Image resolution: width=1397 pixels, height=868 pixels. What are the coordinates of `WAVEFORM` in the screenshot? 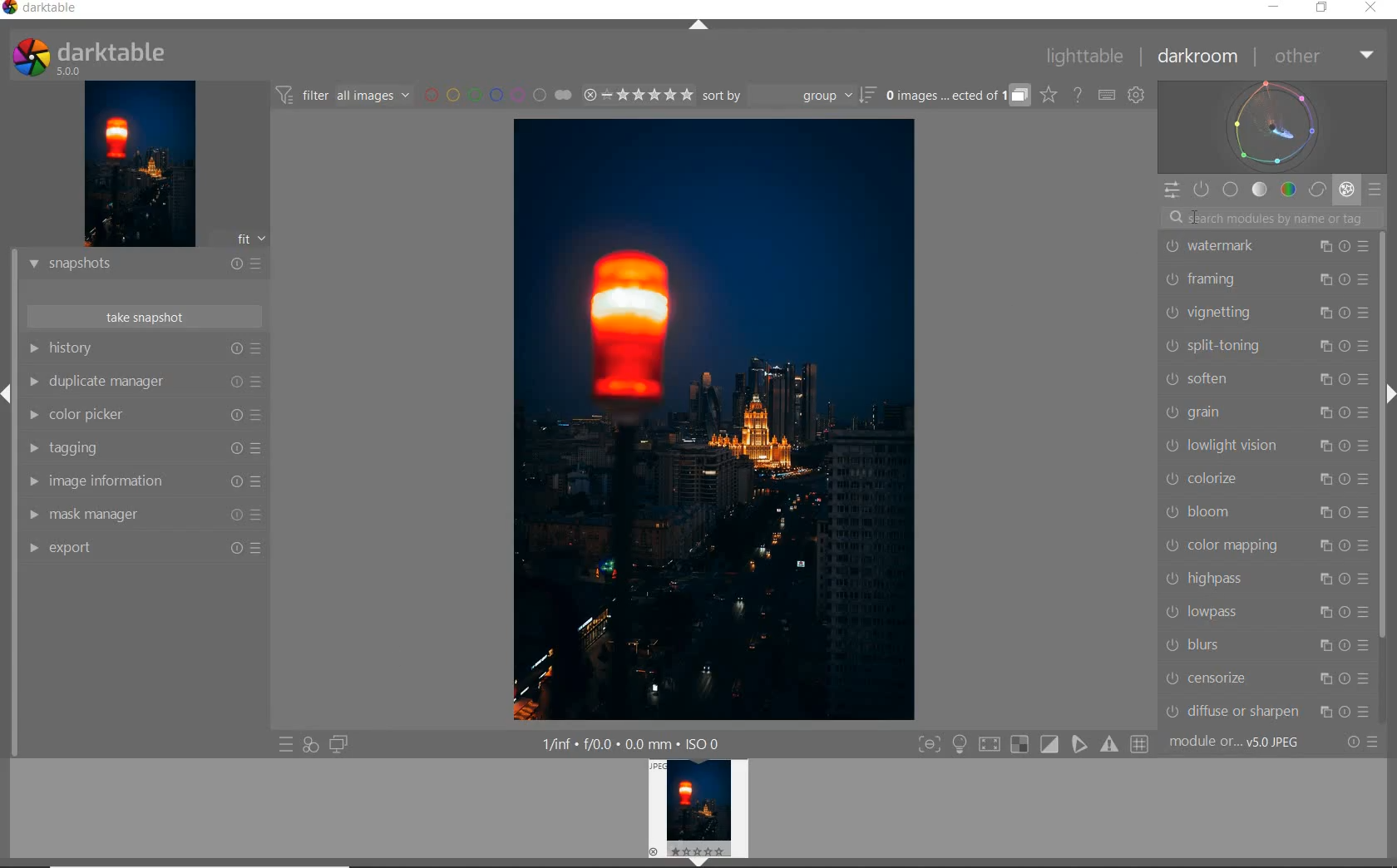 It's located at (1275, 126).